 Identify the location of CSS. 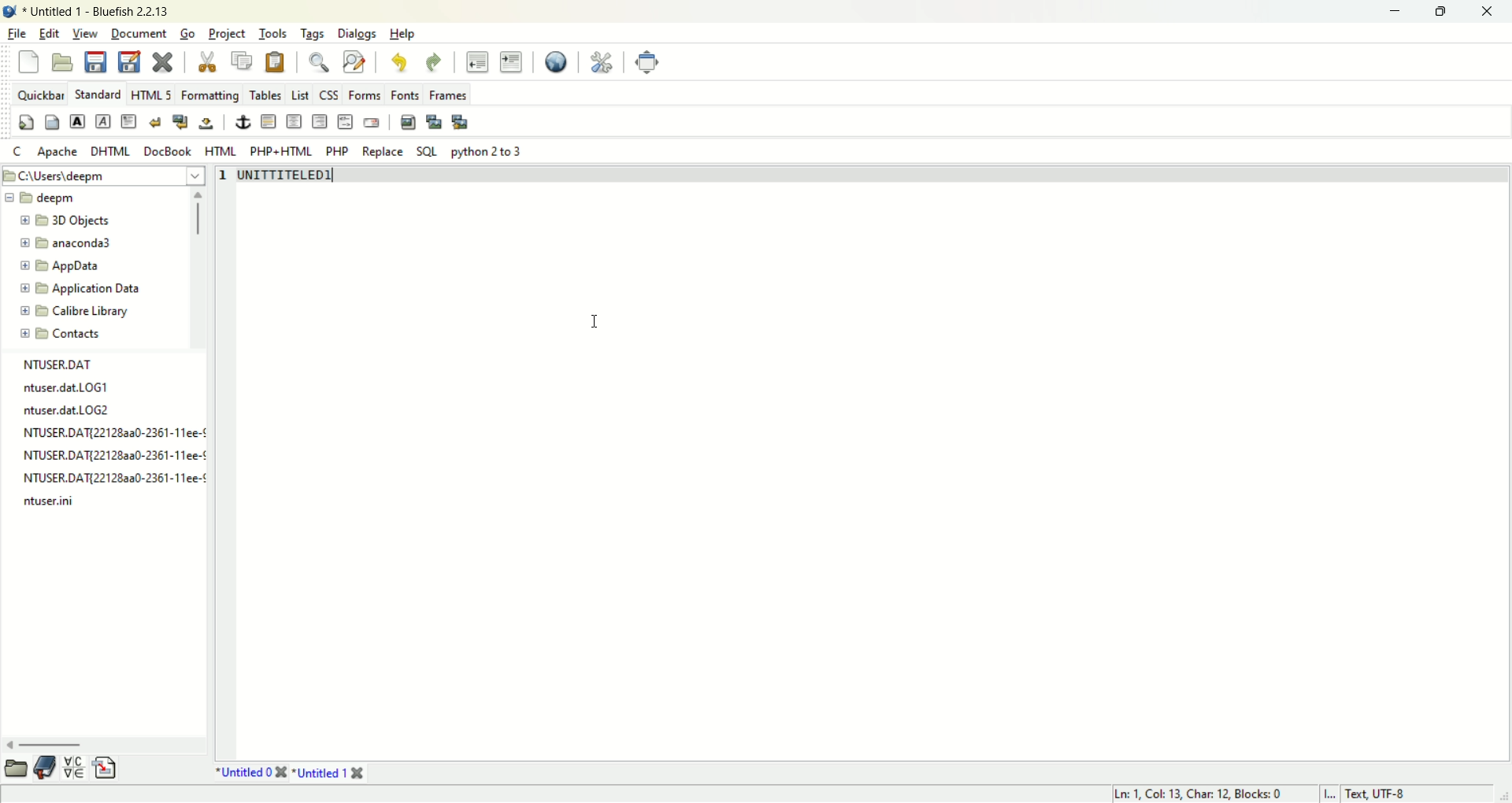
(328, 94).